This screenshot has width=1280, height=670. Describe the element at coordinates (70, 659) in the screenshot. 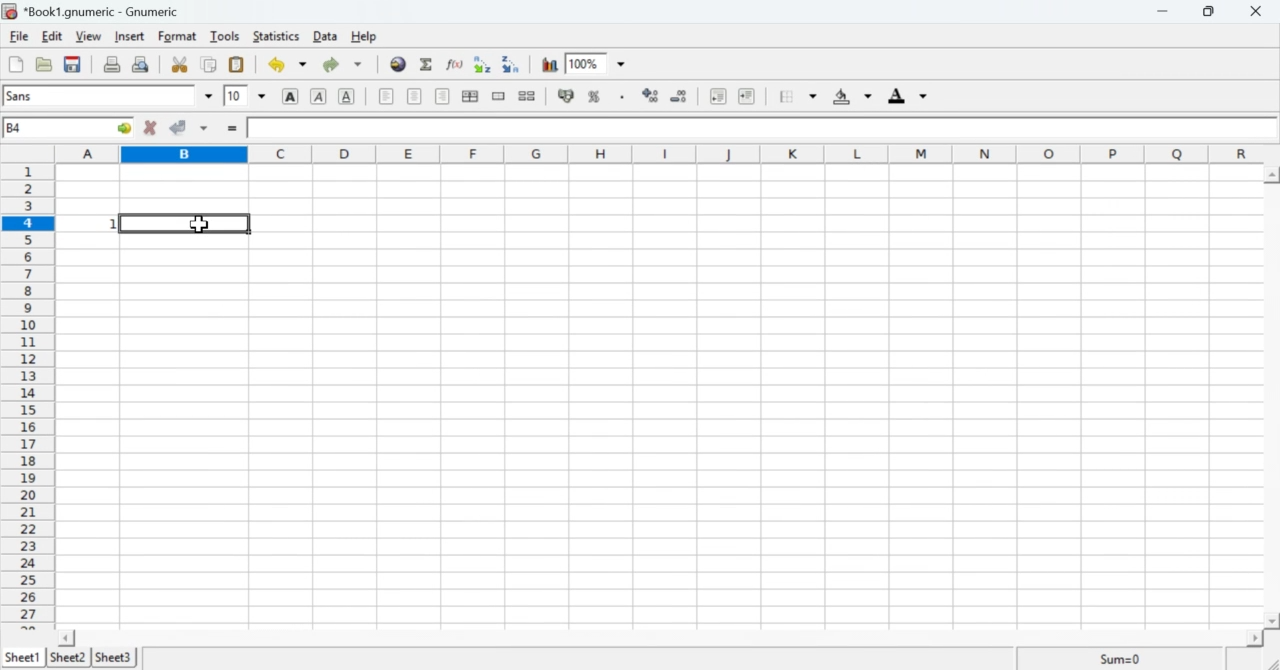

I see `Sheet 2` at that location.